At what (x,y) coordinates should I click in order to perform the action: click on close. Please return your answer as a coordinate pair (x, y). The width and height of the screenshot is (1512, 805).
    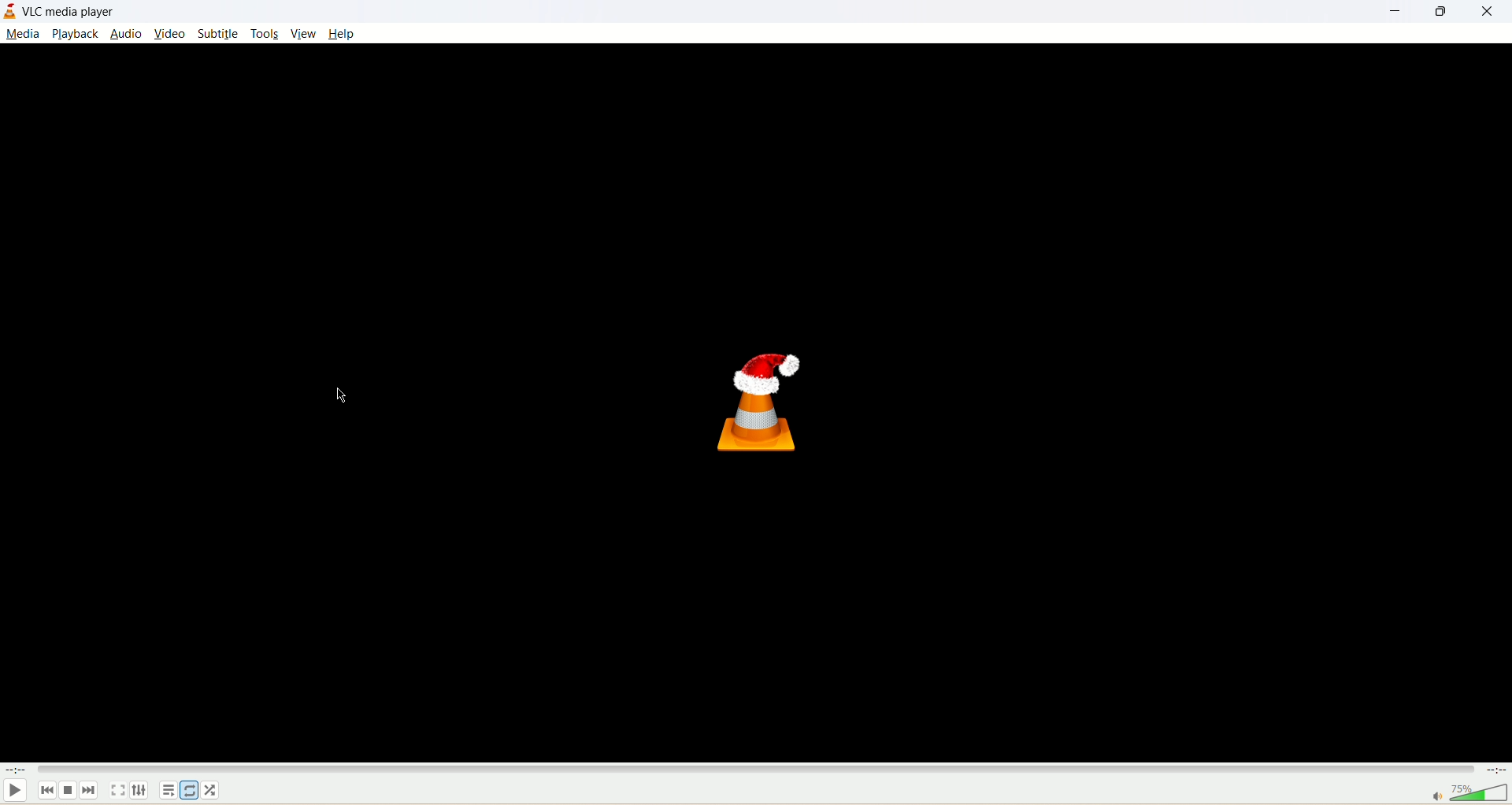
    Looking at the image, I should click on (1487, 12).